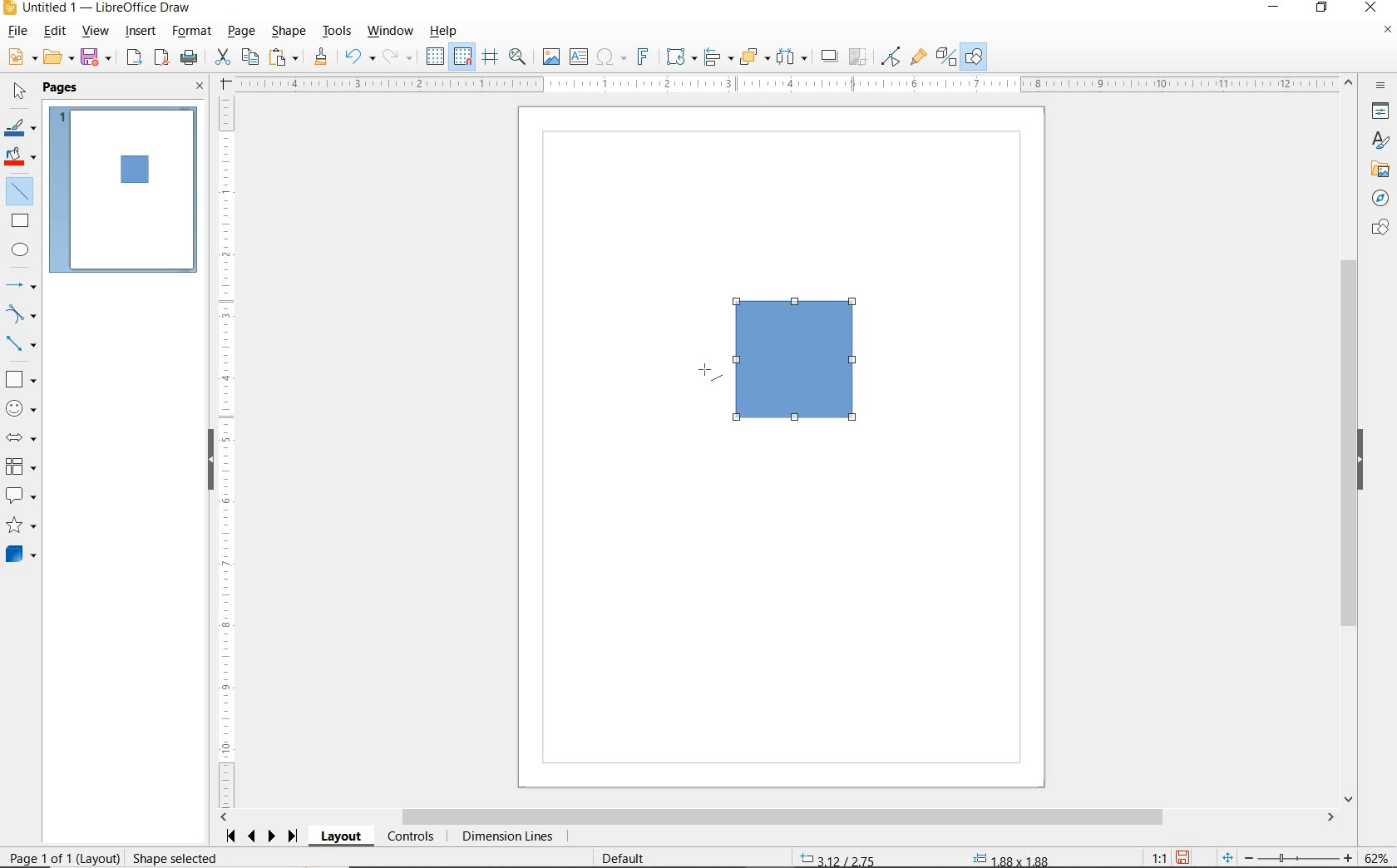 This screenshot has width=1397, height=868. What do you see at coordinates (17, 94) in the screenshot?
I see `SELECT` at bounding box center [17, 94].